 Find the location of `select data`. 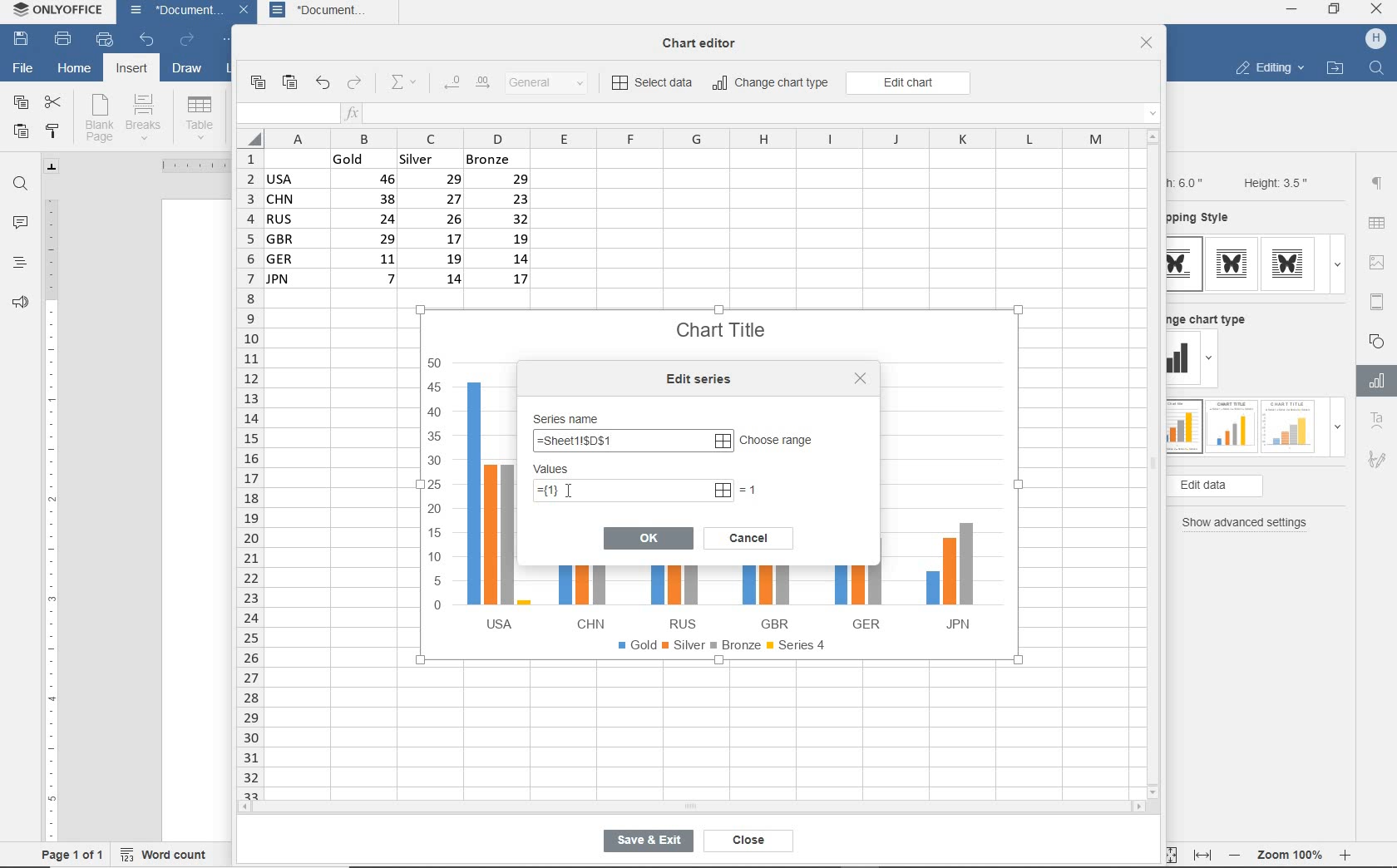

select data is located at coordinates (654, 84).